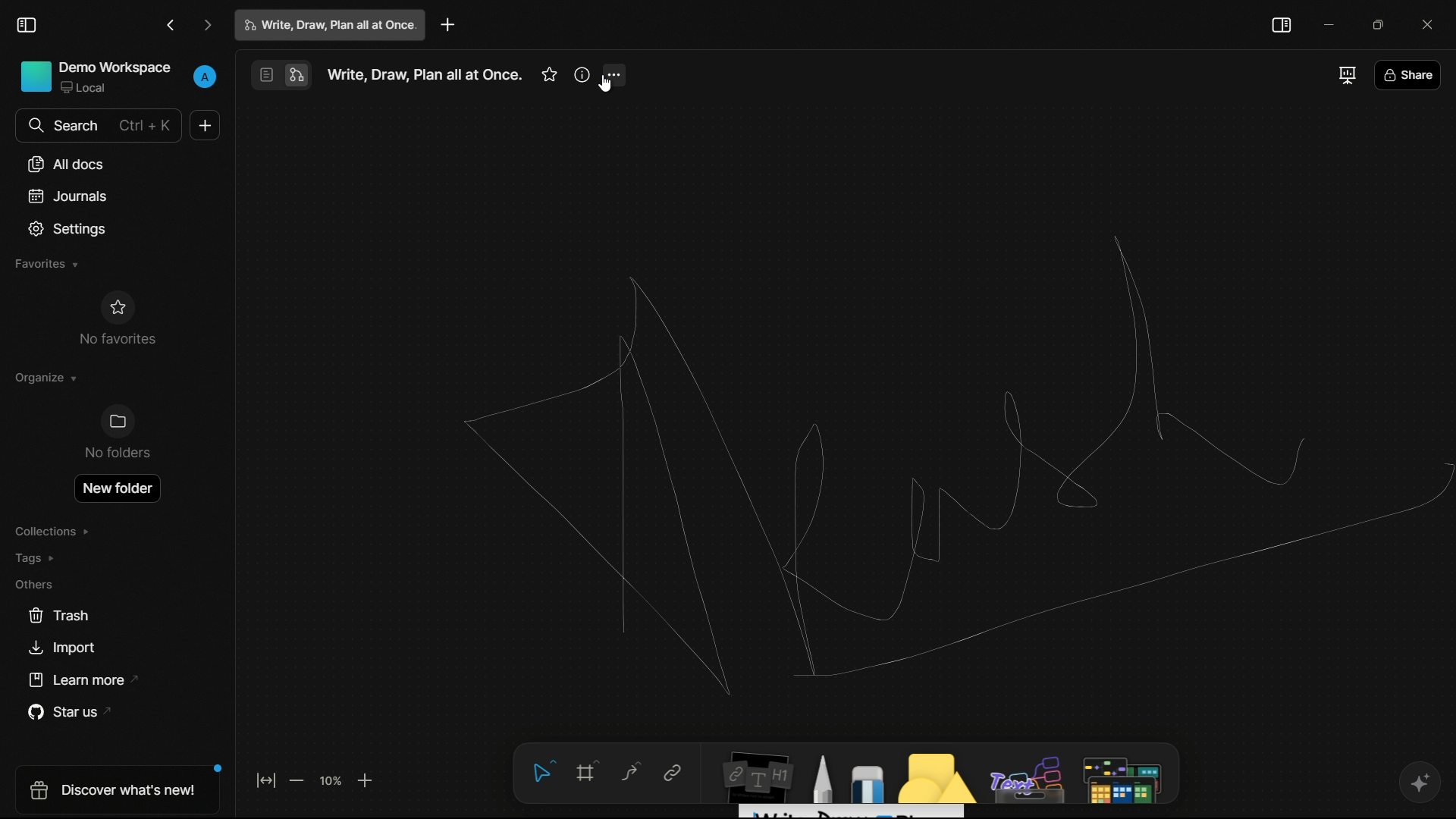 Image resolution: width=1456 pixels, height=819 pixels. I want to click on go forward, so click(210, 27).